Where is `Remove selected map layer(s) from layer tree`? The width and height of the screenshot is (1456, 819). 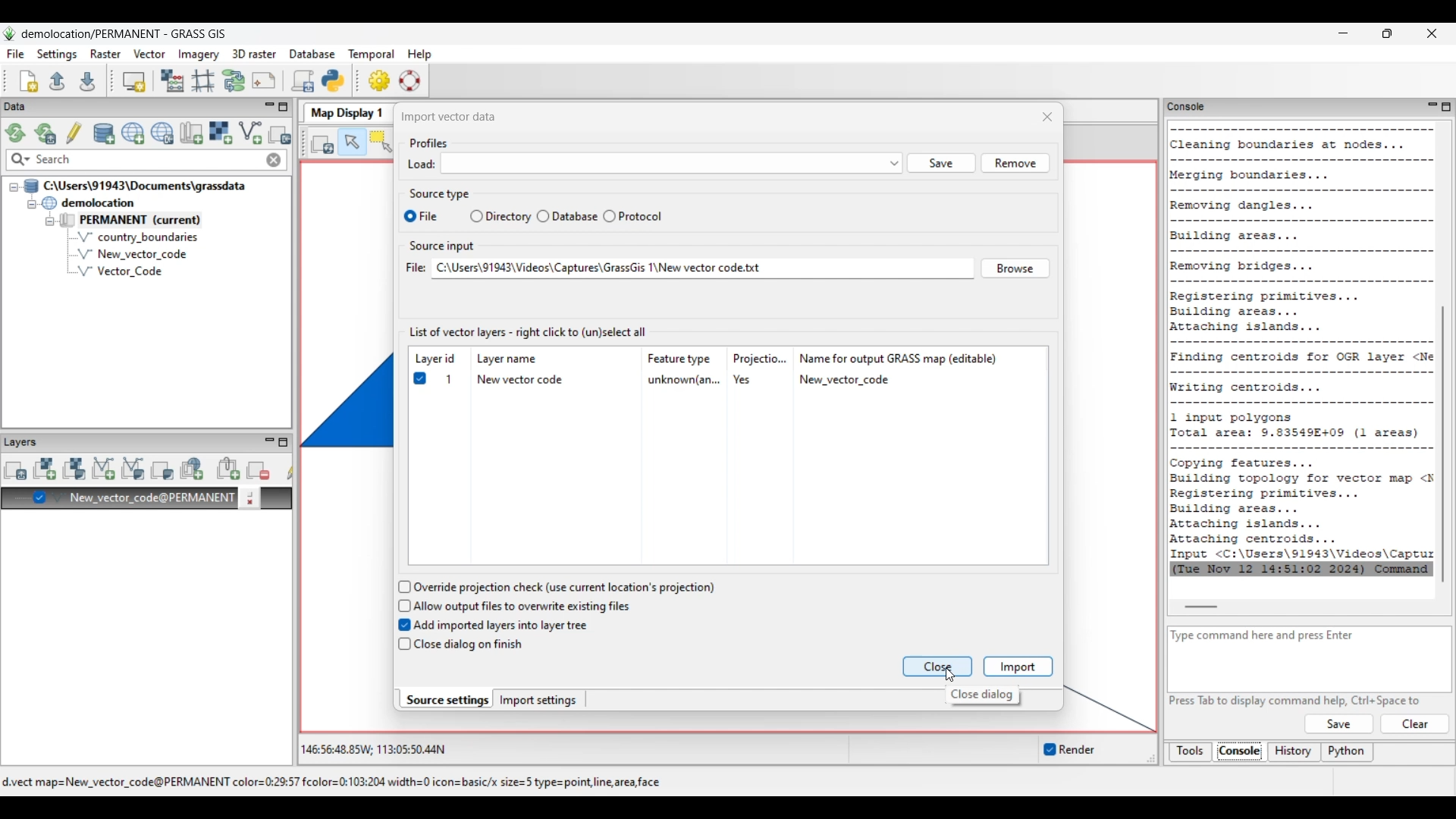 Remove selected map layer(s) from layer tree is located at coordinates (259, 469).